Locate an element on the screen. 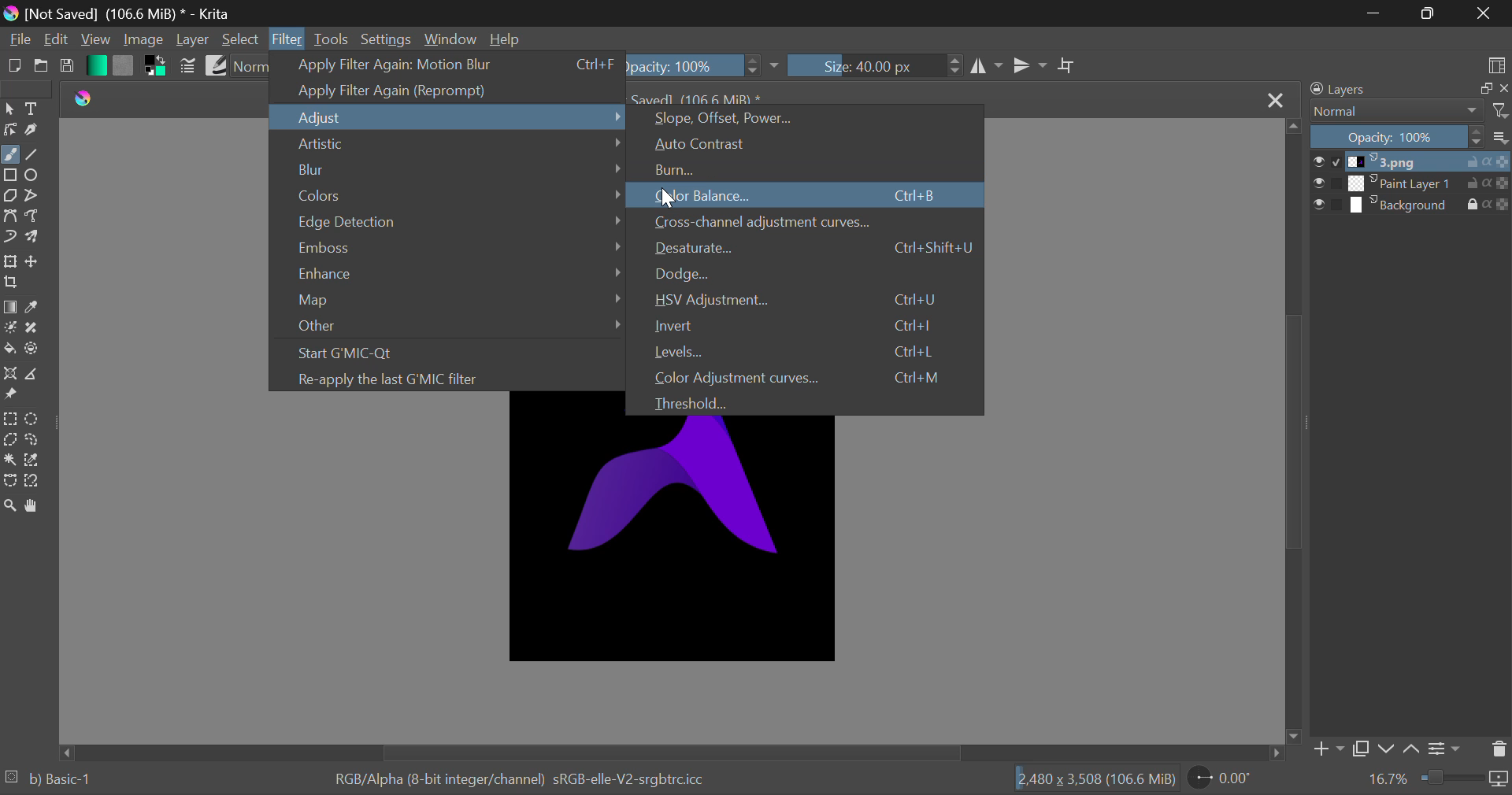  File is located at coordinates (17, 40).